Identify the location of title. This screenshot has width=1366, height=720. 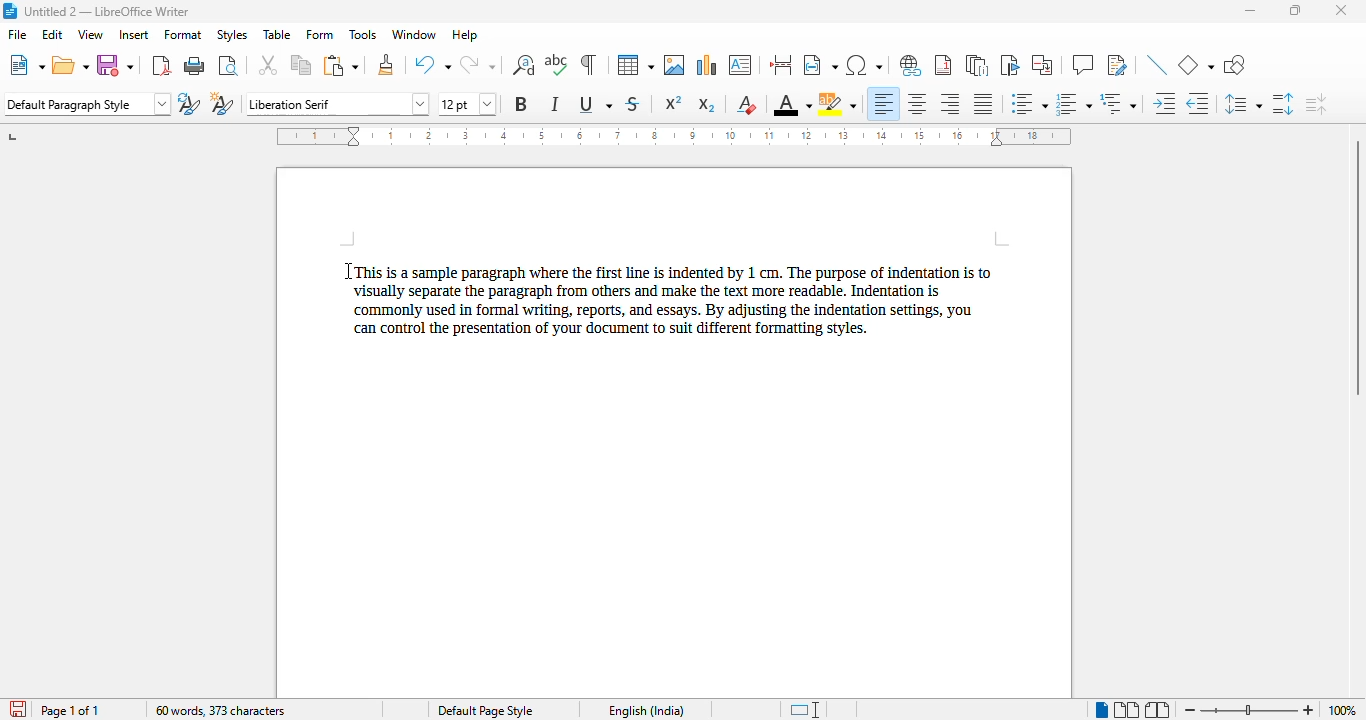
(107, 11).